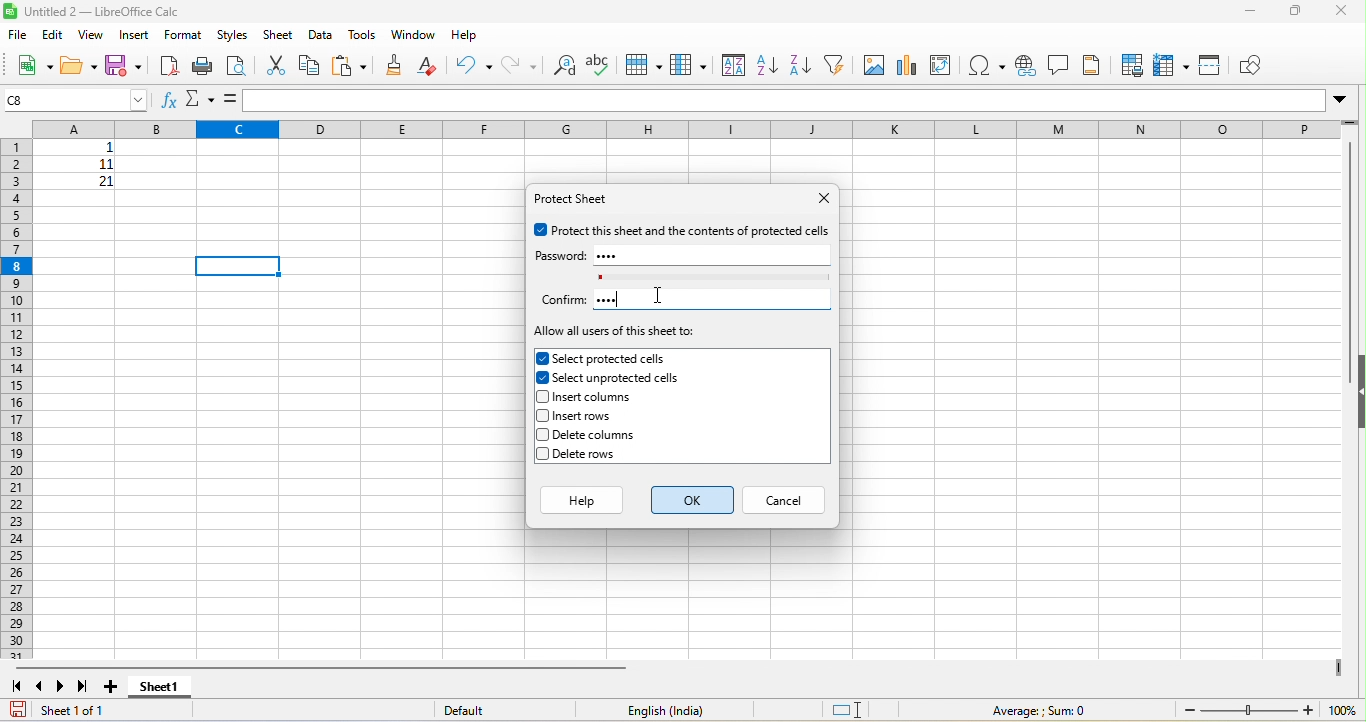  Describe the element at coordinates (563, 299) in the screenshot. I see `confirm` at that location.